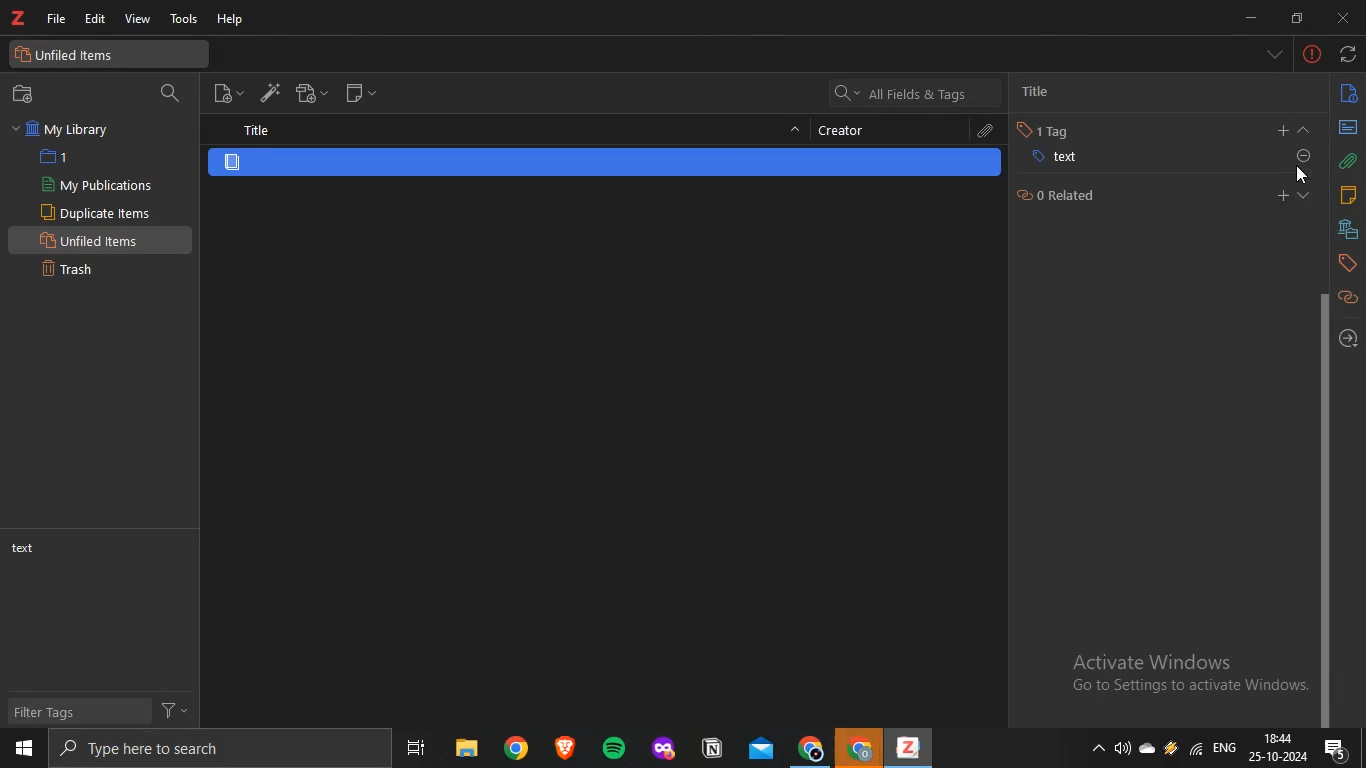 The image size is (1366, 768). What do you see at coordinates (138, 18) in the screenshot?
I see `view` at bounding box center [138, 18].